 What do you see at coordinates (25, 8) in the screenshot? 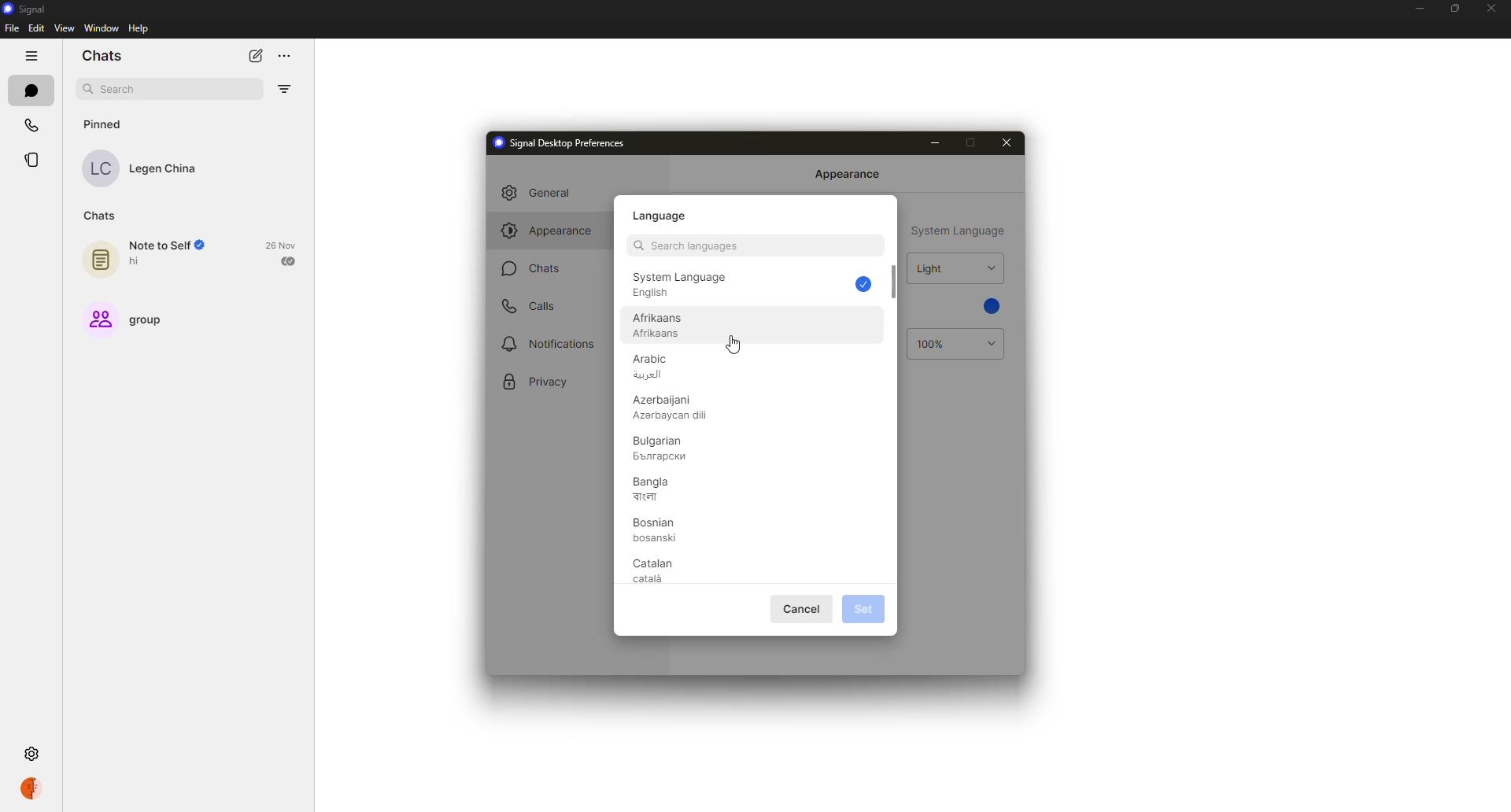
I see `signal` at bounding box center [25, 8].